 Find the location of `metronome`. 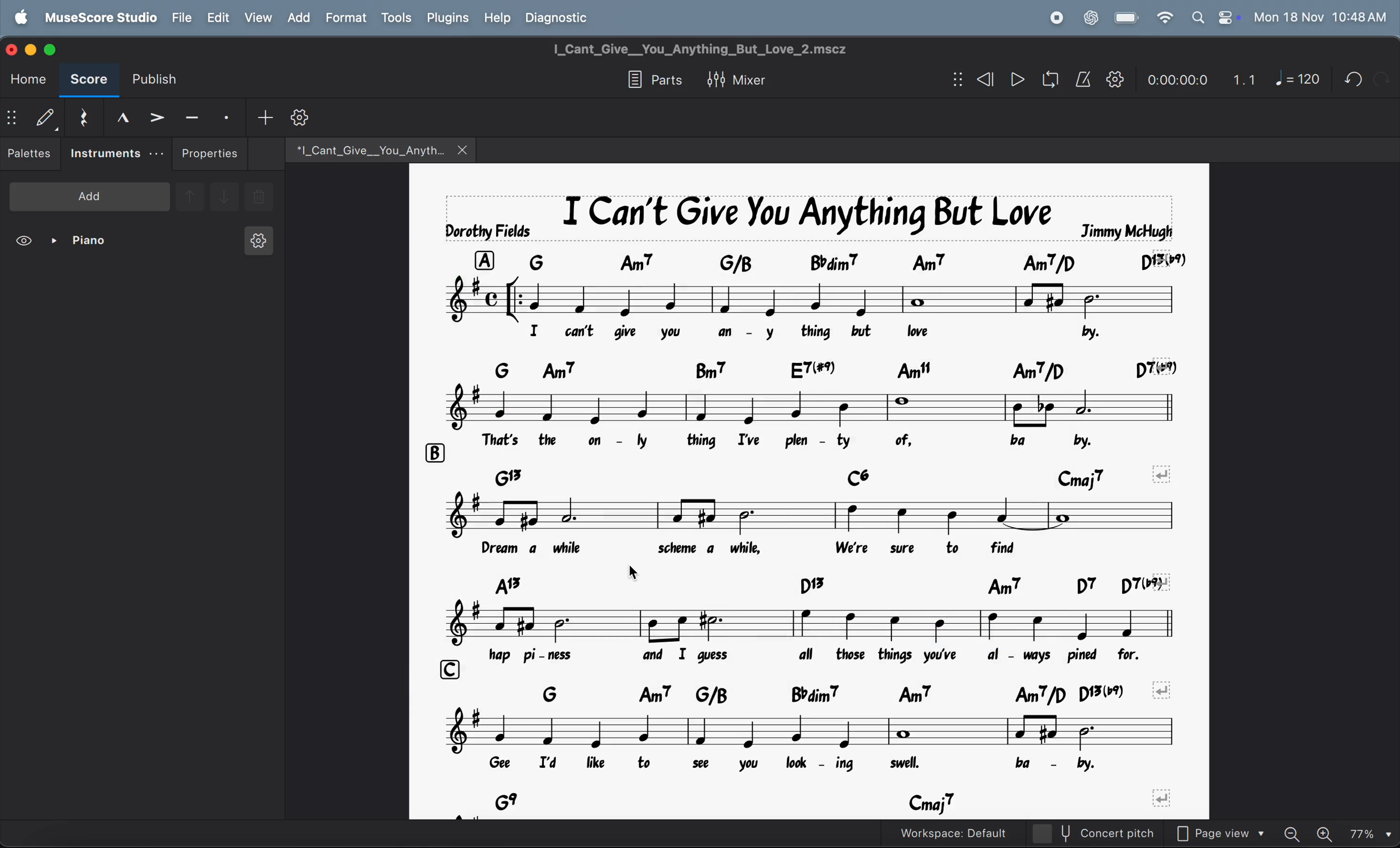

metronome is located at coordinates (1084, 80).